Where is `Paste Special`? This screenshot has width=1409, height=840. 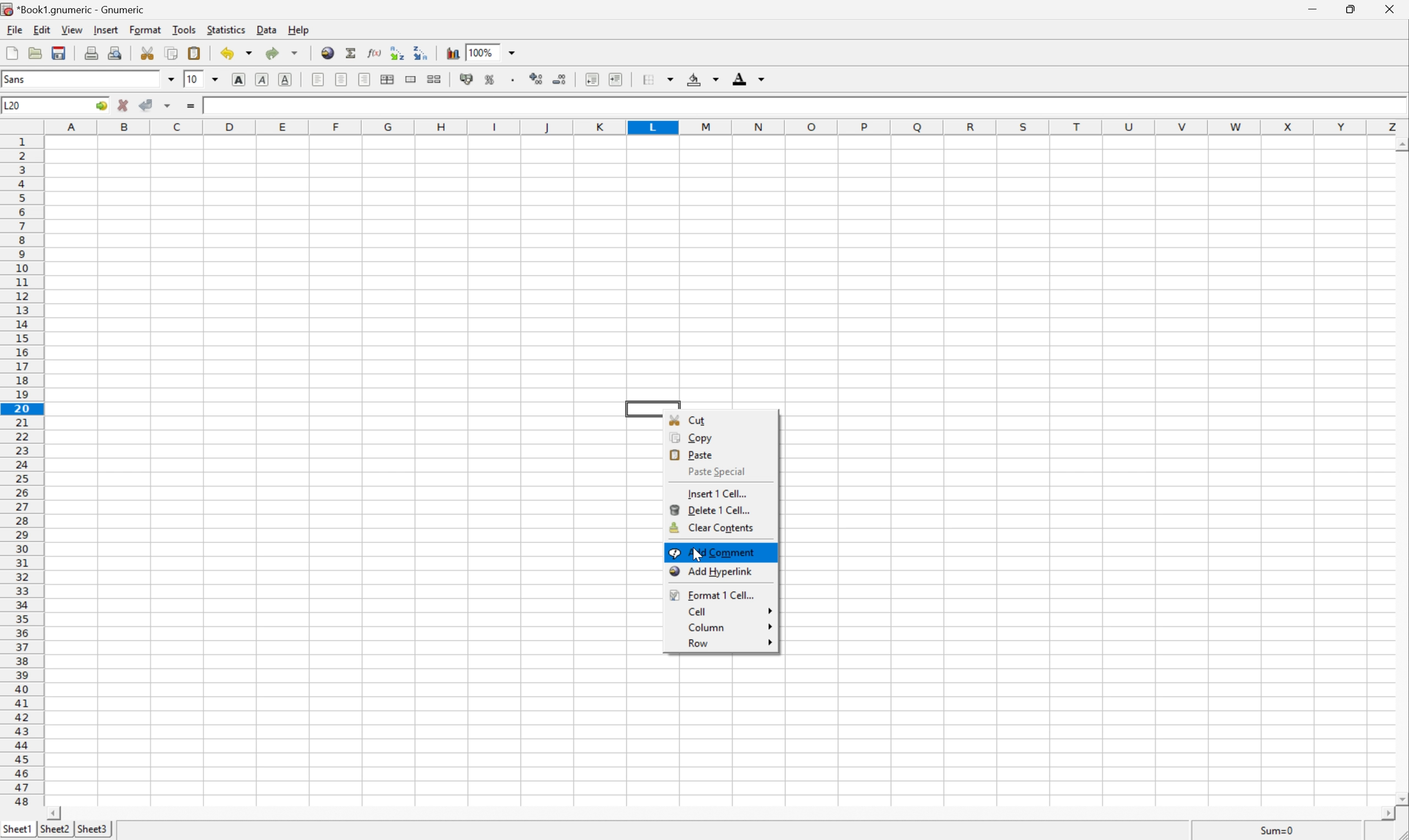 Paste Special is located at coordinates (718, 472).